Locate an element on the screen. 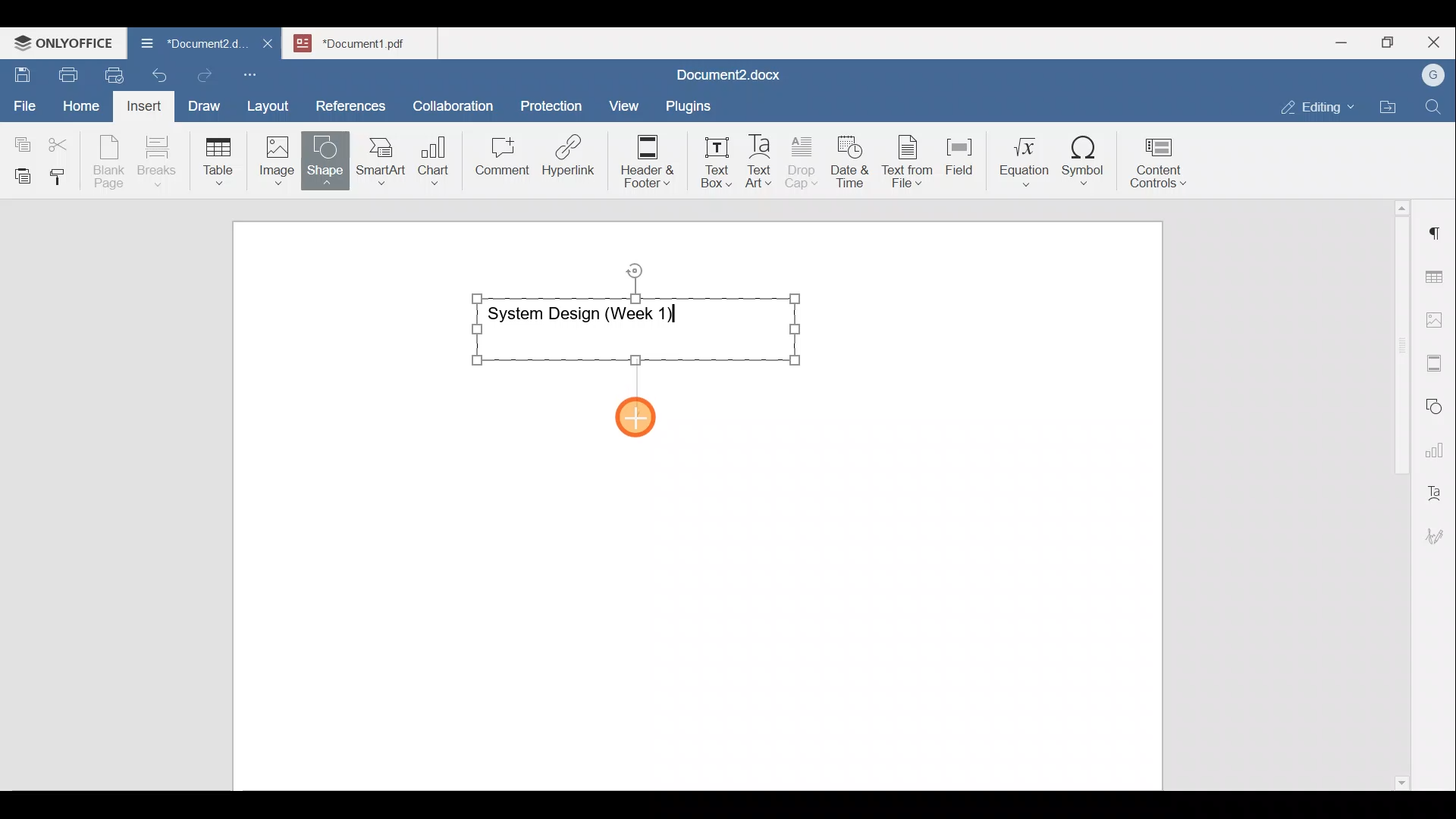 Image resolution: width=1456 pixels, height=819 pixels. Editing mode is located at coordinates (1318, 104).